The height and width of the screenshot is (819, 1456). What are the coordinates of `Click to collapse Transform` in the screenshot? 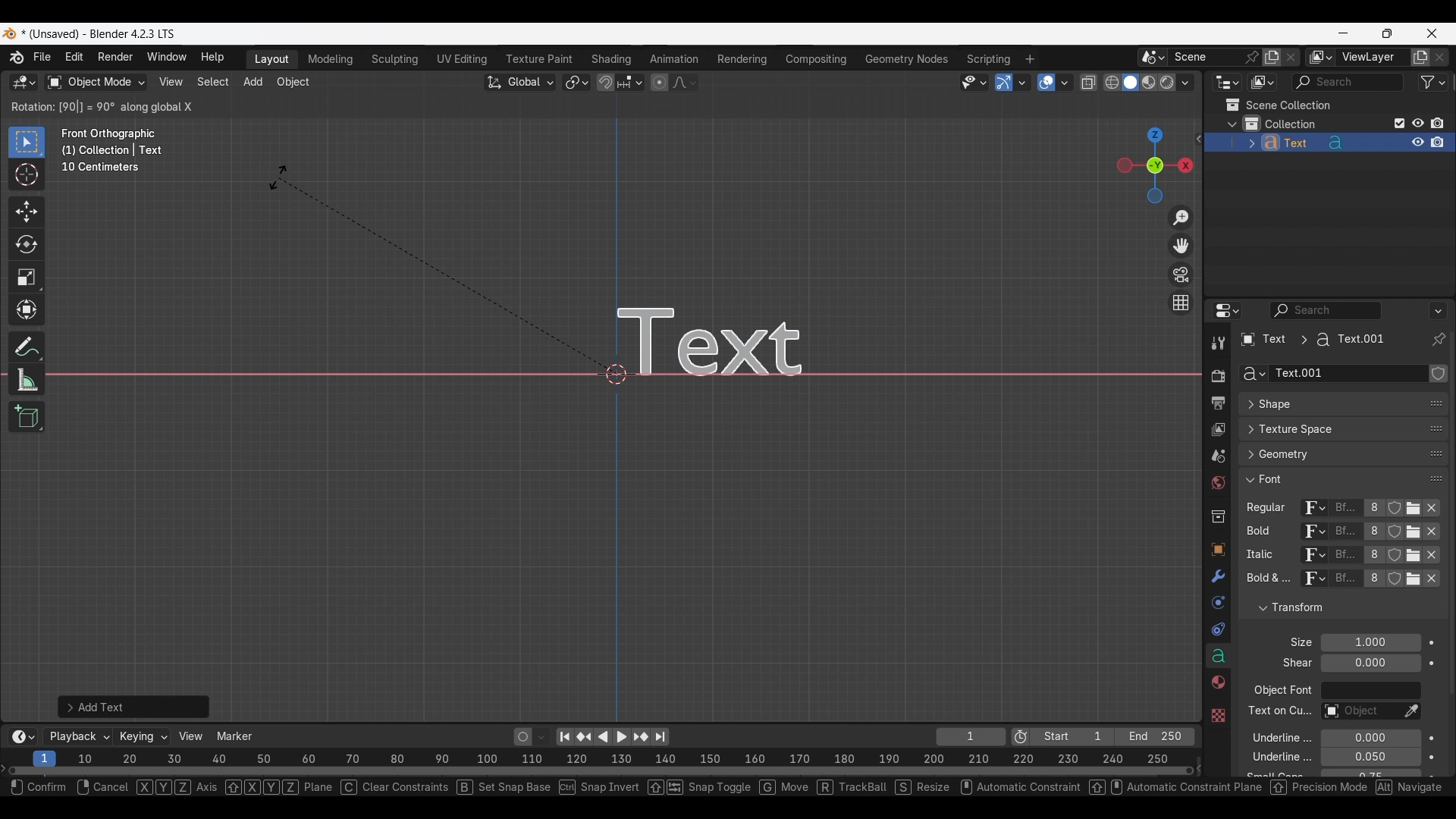 It's located at (1330, 608).